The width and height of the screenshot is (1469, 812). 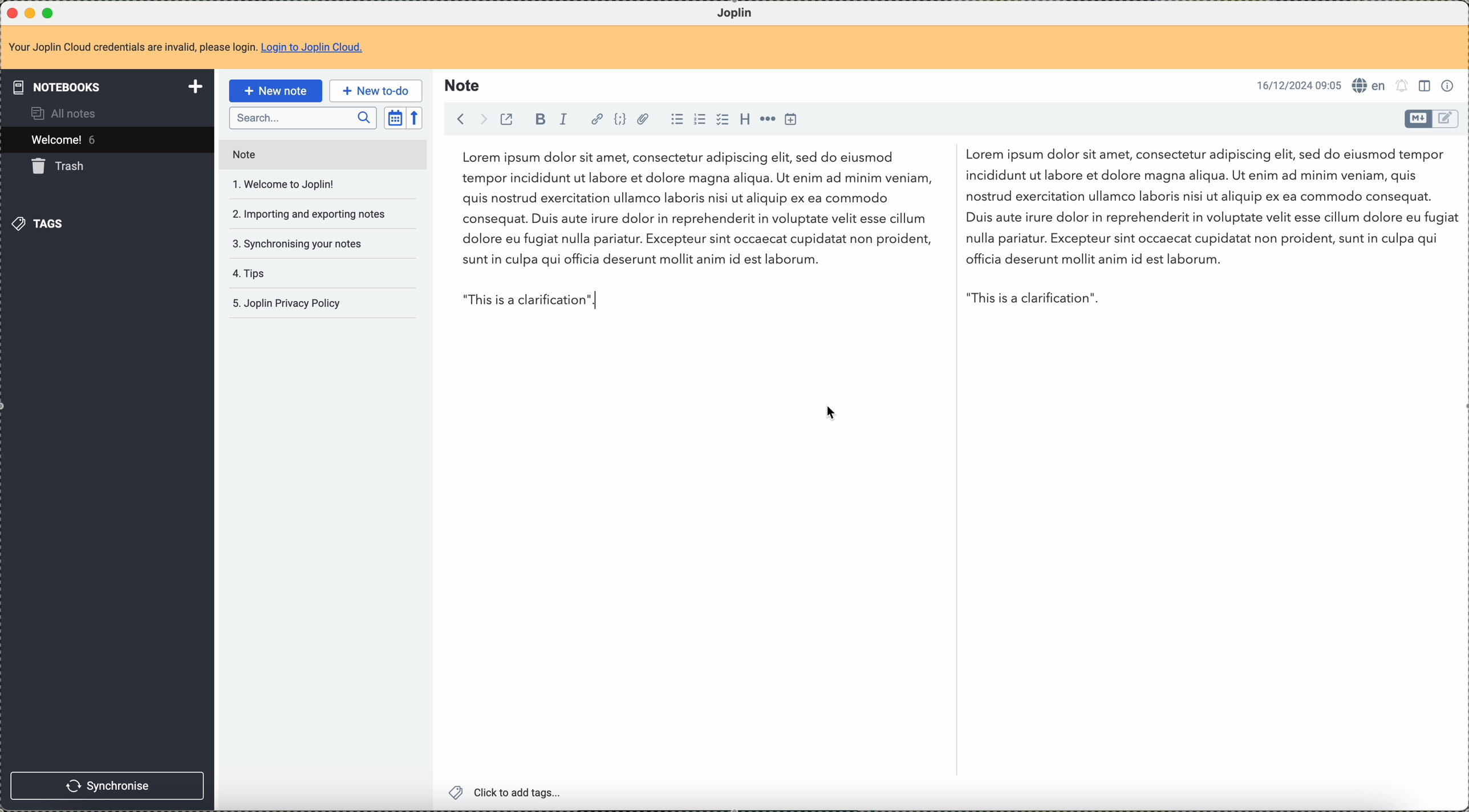 What do you see at coordinates (70, 112) in the screenshot?
I see `all notes` at bounding box center [70, 112].